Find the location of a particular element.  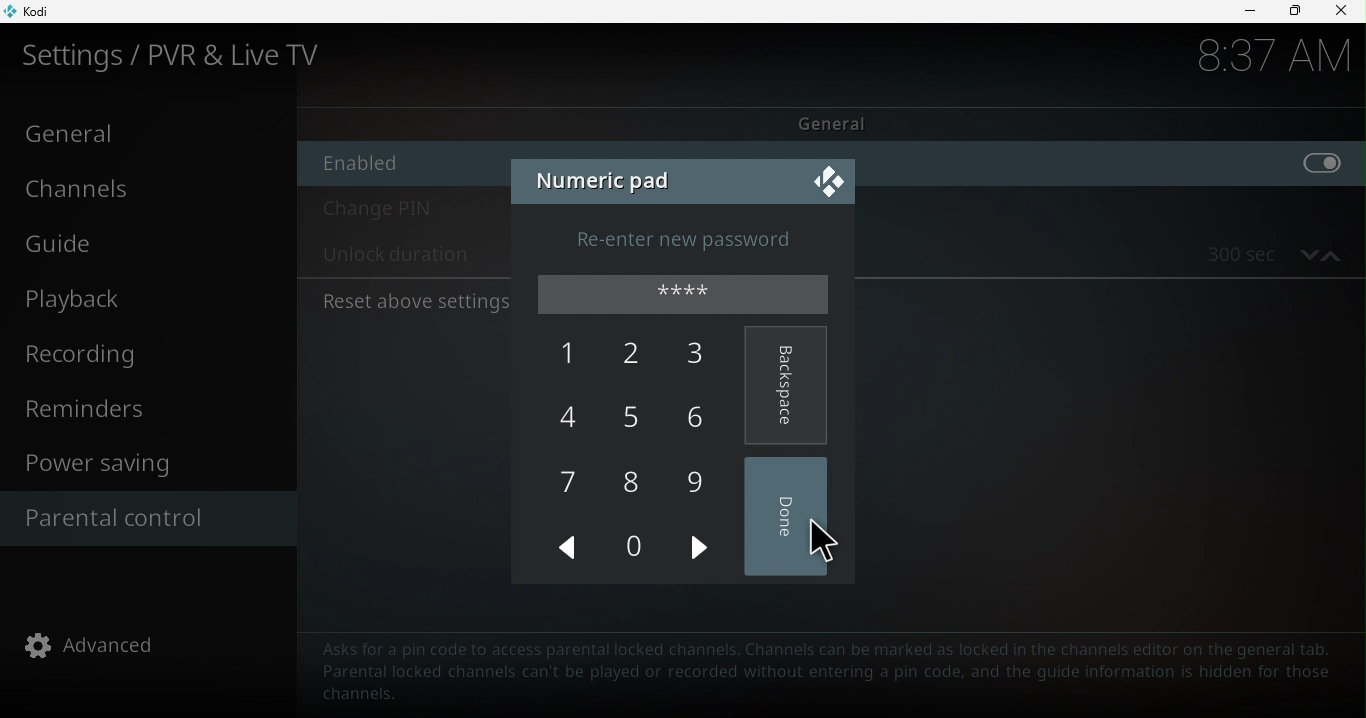

Previous is located at coordinates (565, 548).